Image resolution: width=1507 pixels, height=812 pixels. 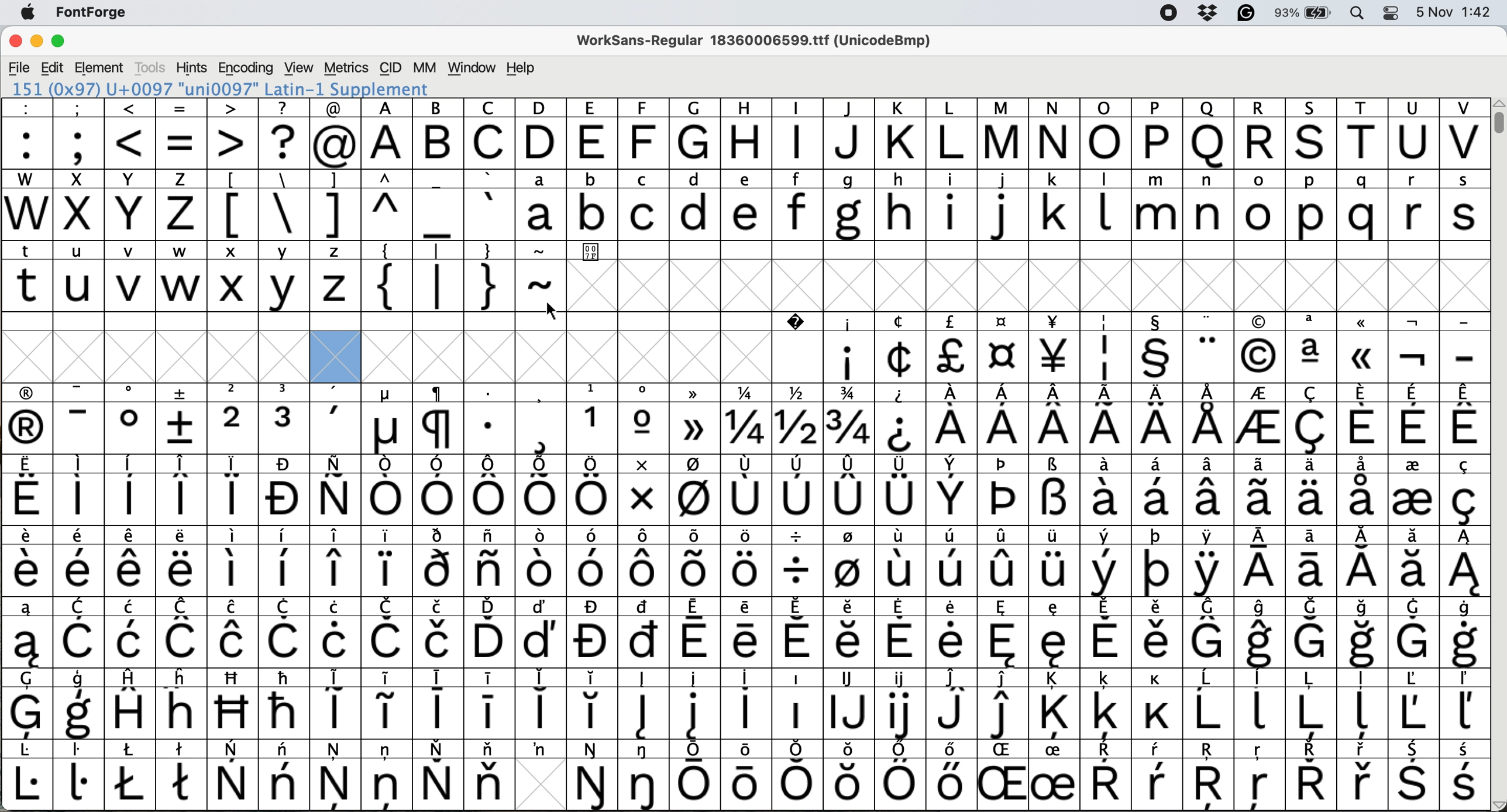 I want to click on symbol, so click(x=1315, y=489).